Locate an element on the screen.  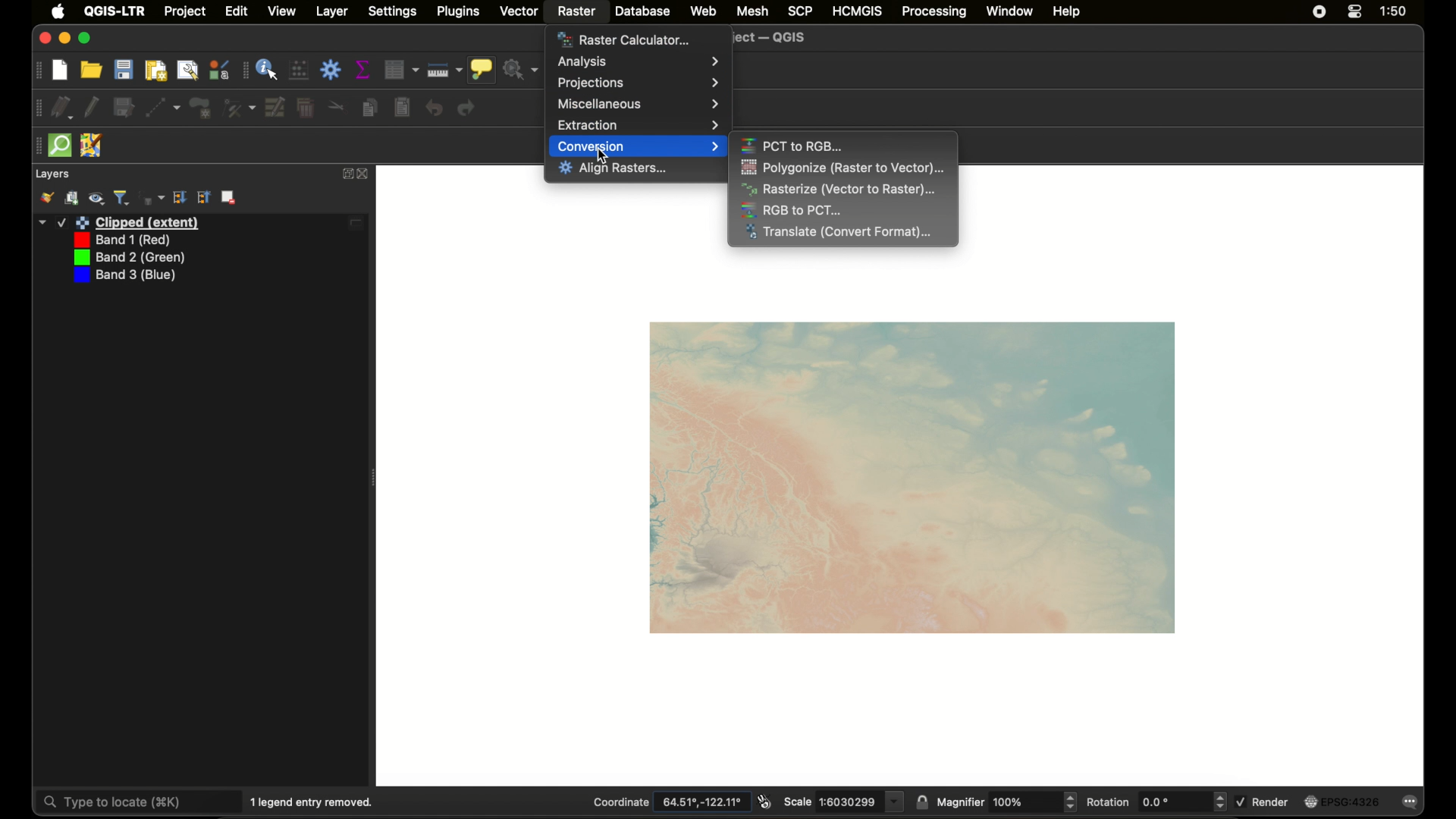
identify feature is located at coordinates (268, 69).